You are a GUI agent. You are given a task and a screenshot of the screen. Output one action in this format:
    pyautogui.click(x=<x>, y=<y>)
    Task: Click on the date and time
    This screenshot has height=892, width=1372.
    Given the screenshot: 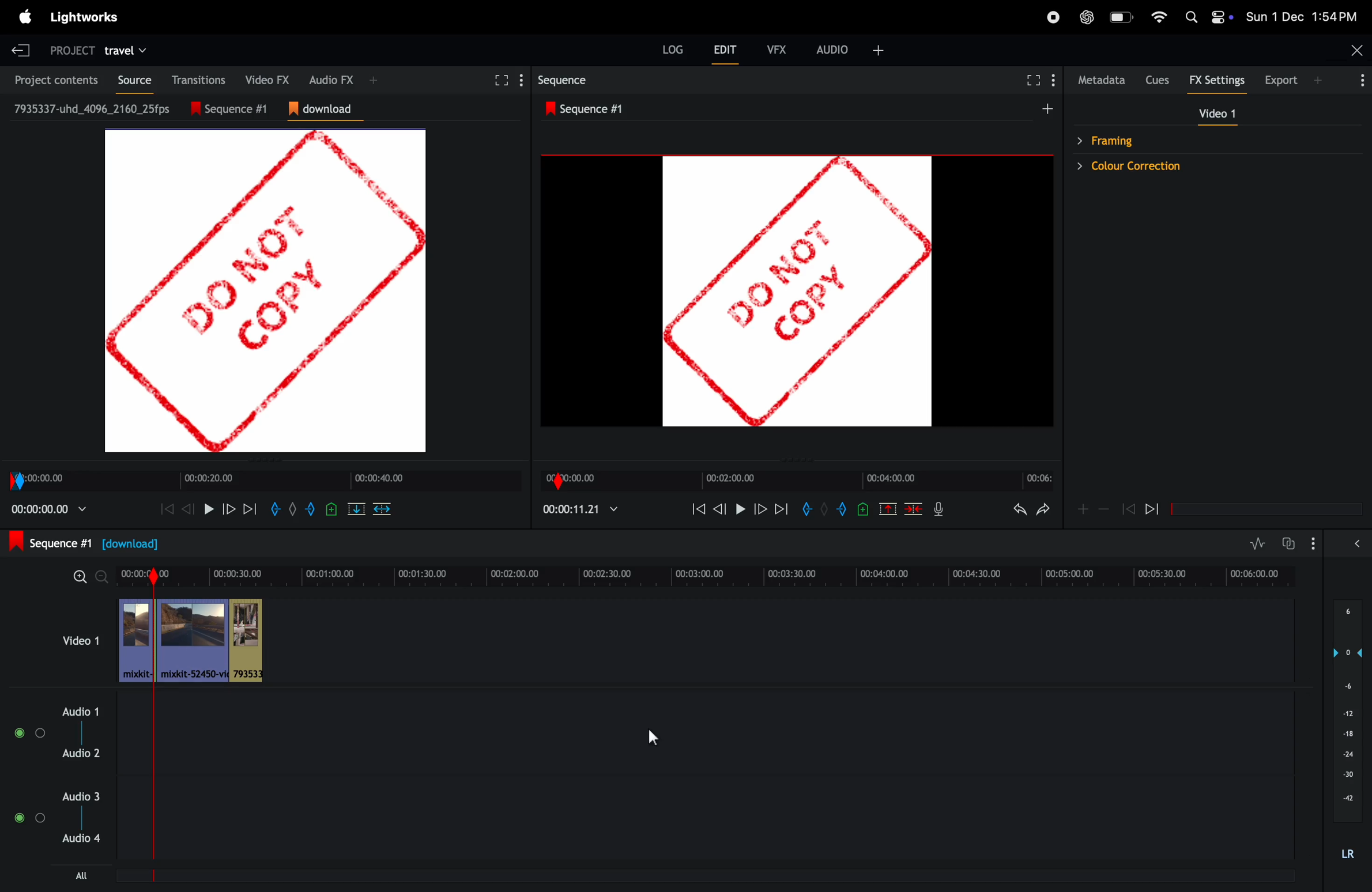 What is the action you would take?
    pyautogui.click(x=1301, y=16)
    